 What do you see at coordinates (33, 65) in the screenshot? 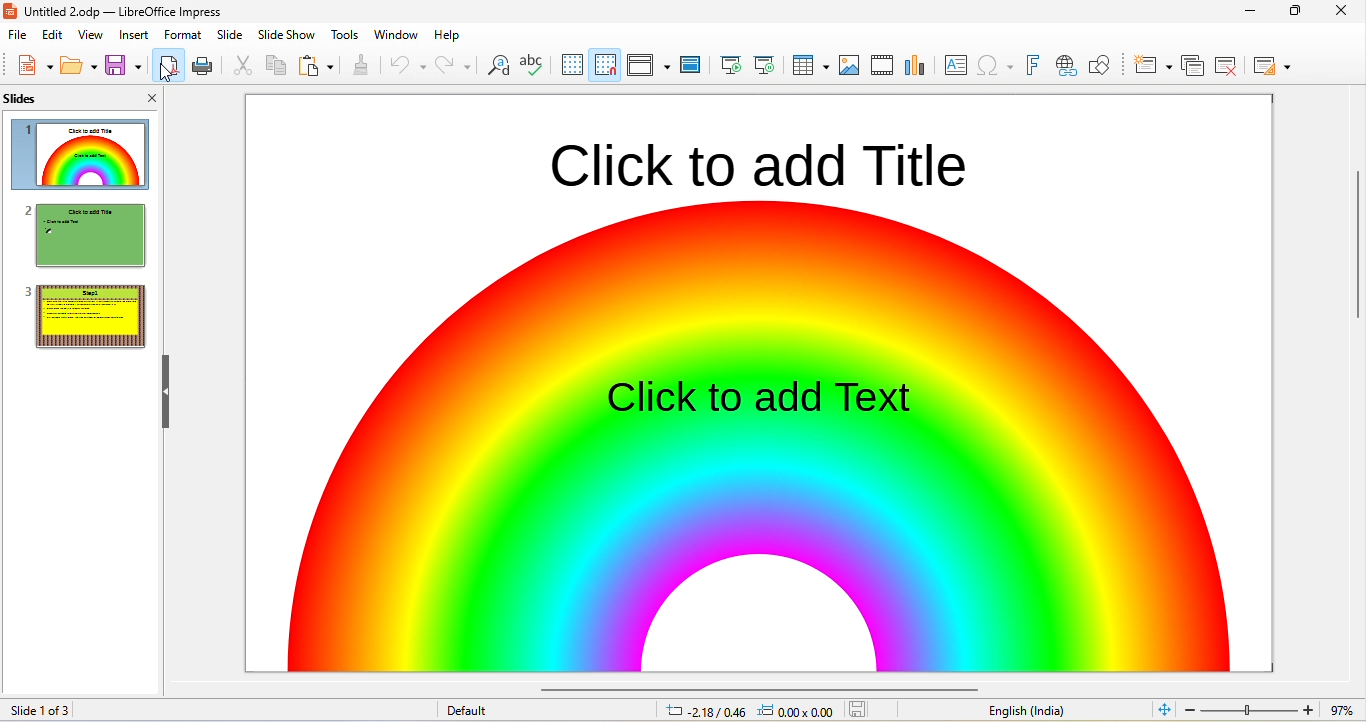
I see `new` at bounding box center [33, 65].